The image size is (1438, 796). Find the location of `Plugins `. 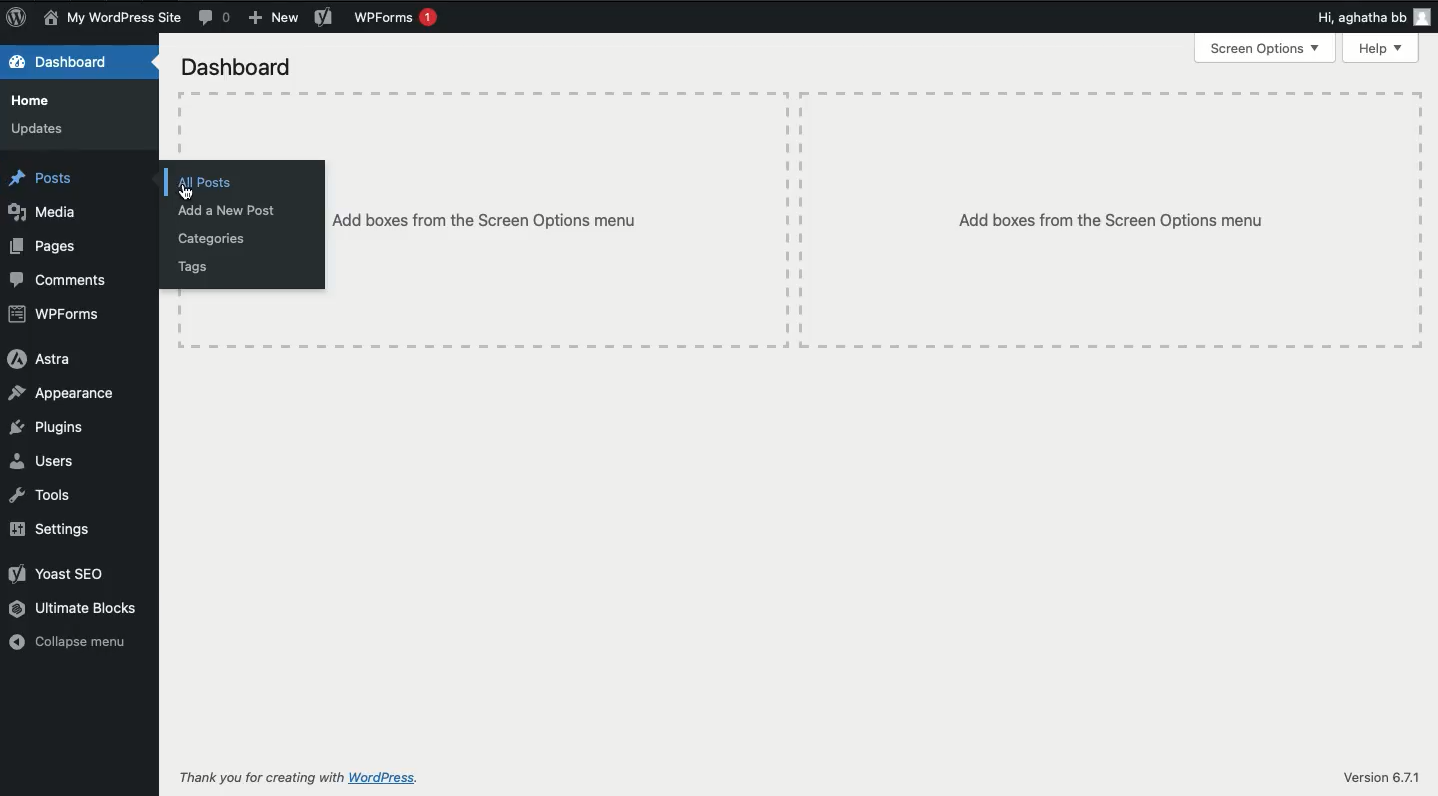

Plugins  is located at coordinates (55, 427).